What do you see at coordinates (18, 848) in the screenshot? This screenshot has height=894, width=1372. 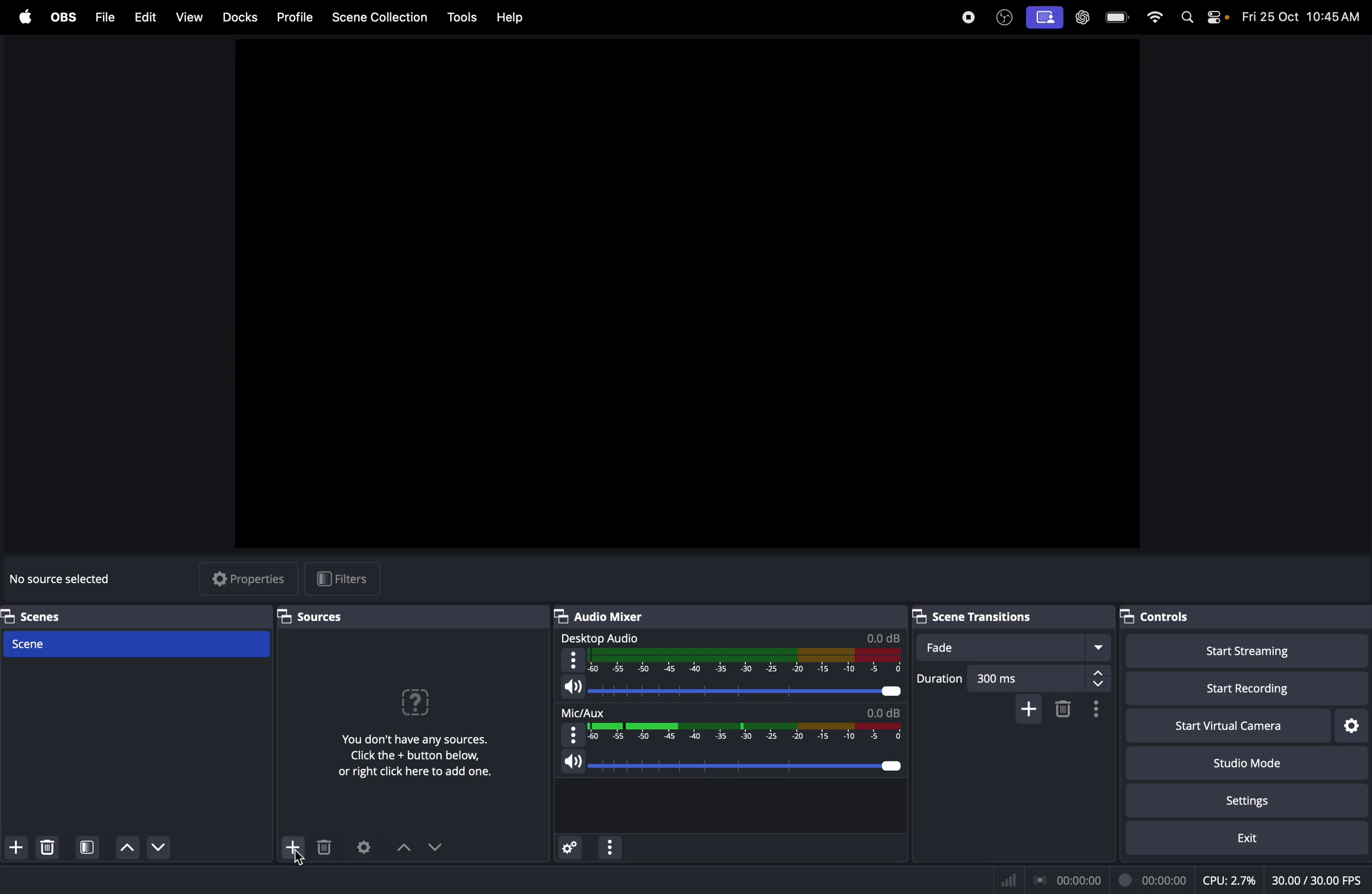 I see `add scene` at bounding box center [18, 848].